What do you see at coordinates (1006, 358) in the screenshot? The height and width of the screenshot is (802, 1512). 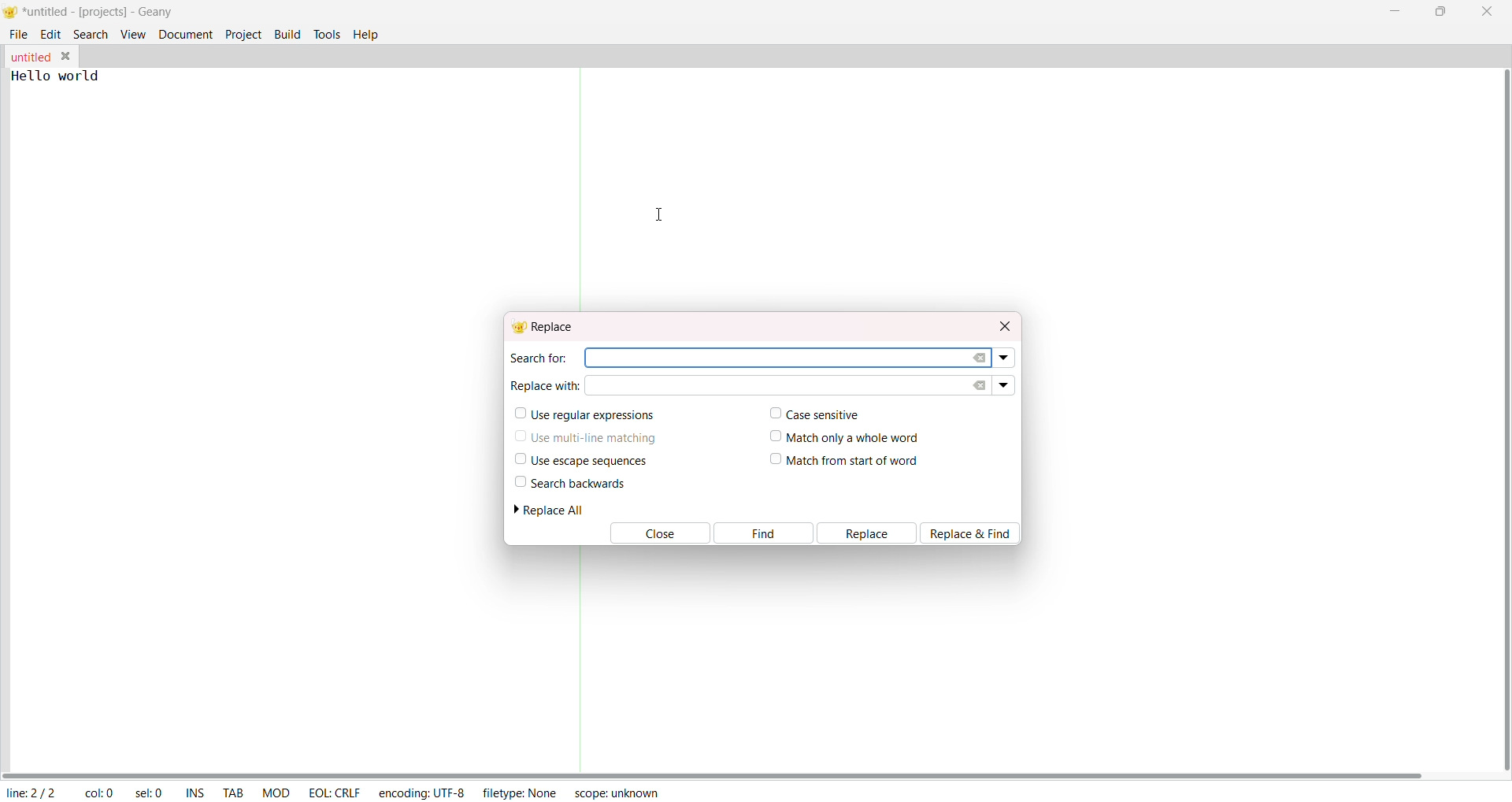 I see `search dropdown` at bounding box center [1006, 358].